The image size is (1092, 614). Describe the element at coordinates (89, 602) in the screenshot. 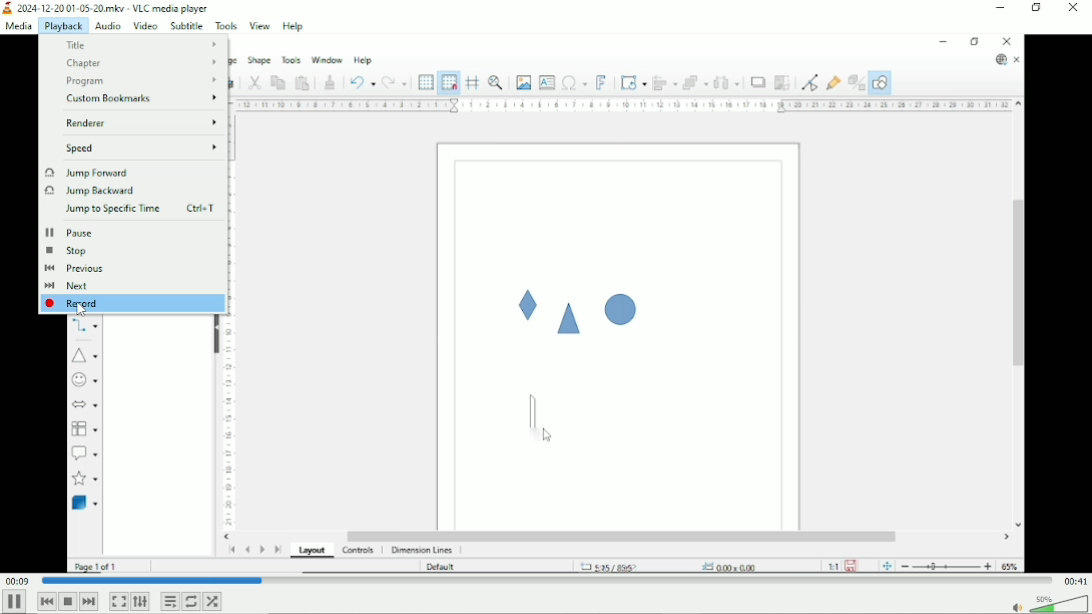

I see `Next` at that location.